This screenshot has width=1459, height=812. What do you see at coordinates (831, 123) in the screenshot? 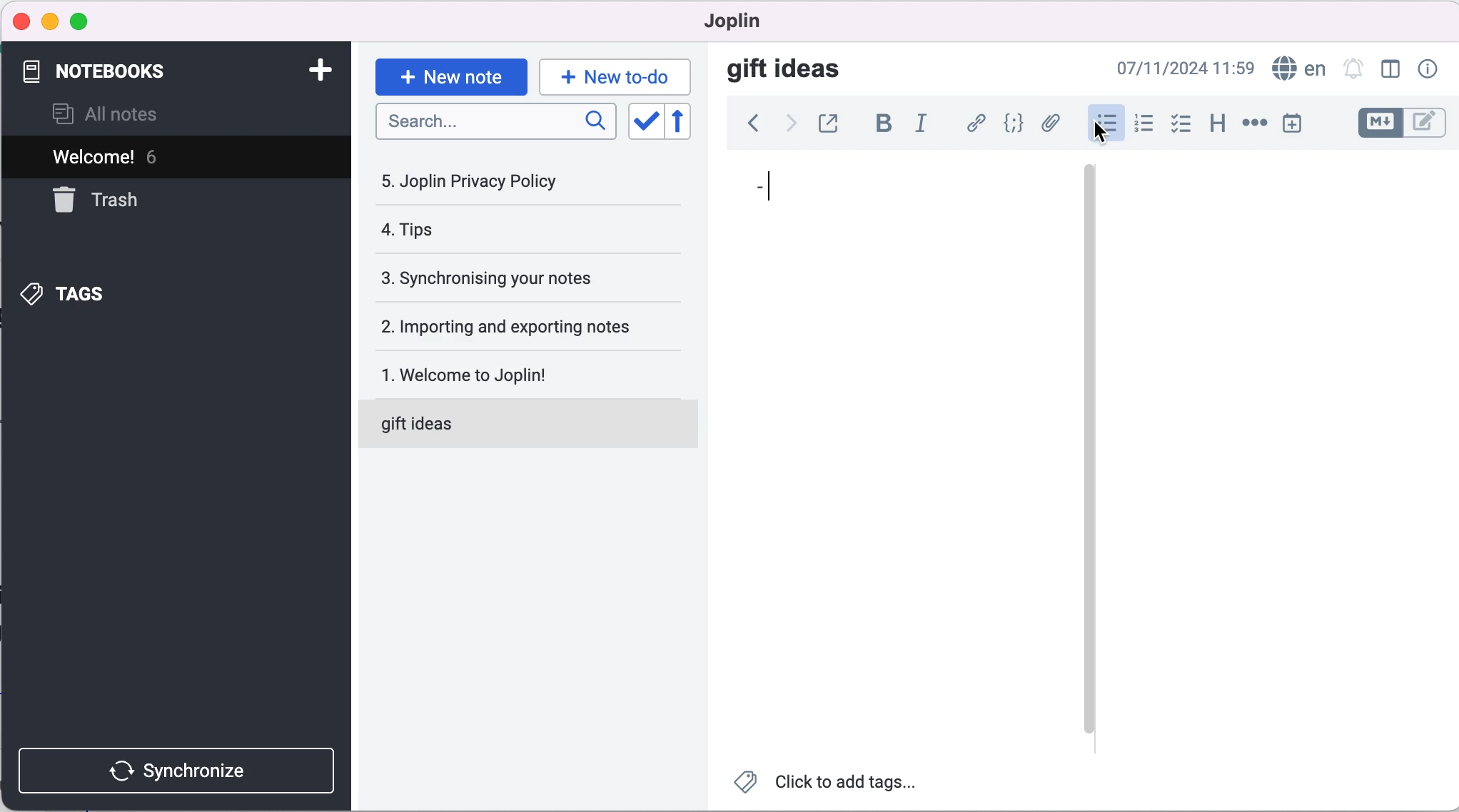
I see `toggle external editing` at bounding box center [831, 123].